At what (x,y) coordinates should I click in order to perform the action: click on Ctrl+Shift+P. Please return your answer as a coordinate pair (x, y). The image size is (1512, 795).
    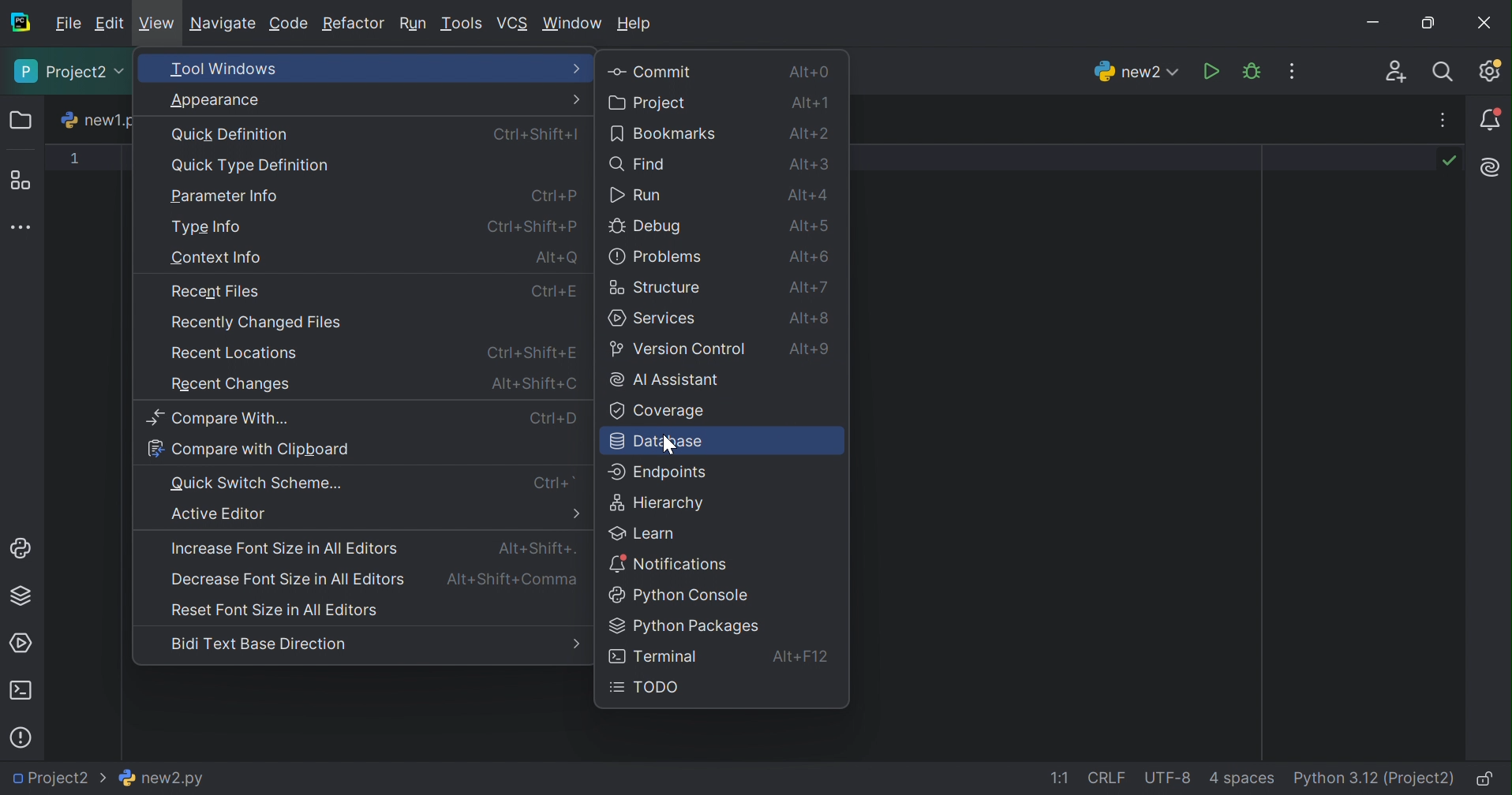
    Looking at the image, I should click on (532, 352).